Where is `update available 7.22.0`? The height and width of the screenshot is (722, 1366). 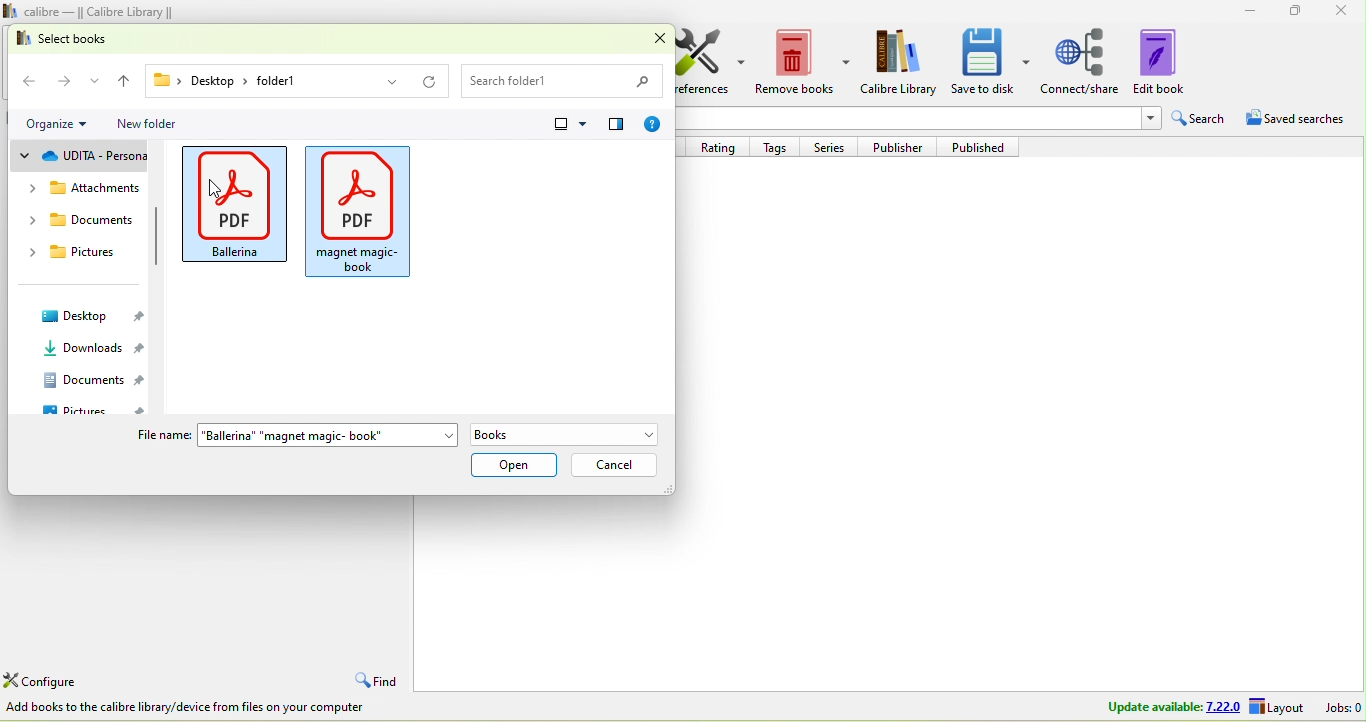 update available 7.22.0 is located at coordinates (1171, 707).